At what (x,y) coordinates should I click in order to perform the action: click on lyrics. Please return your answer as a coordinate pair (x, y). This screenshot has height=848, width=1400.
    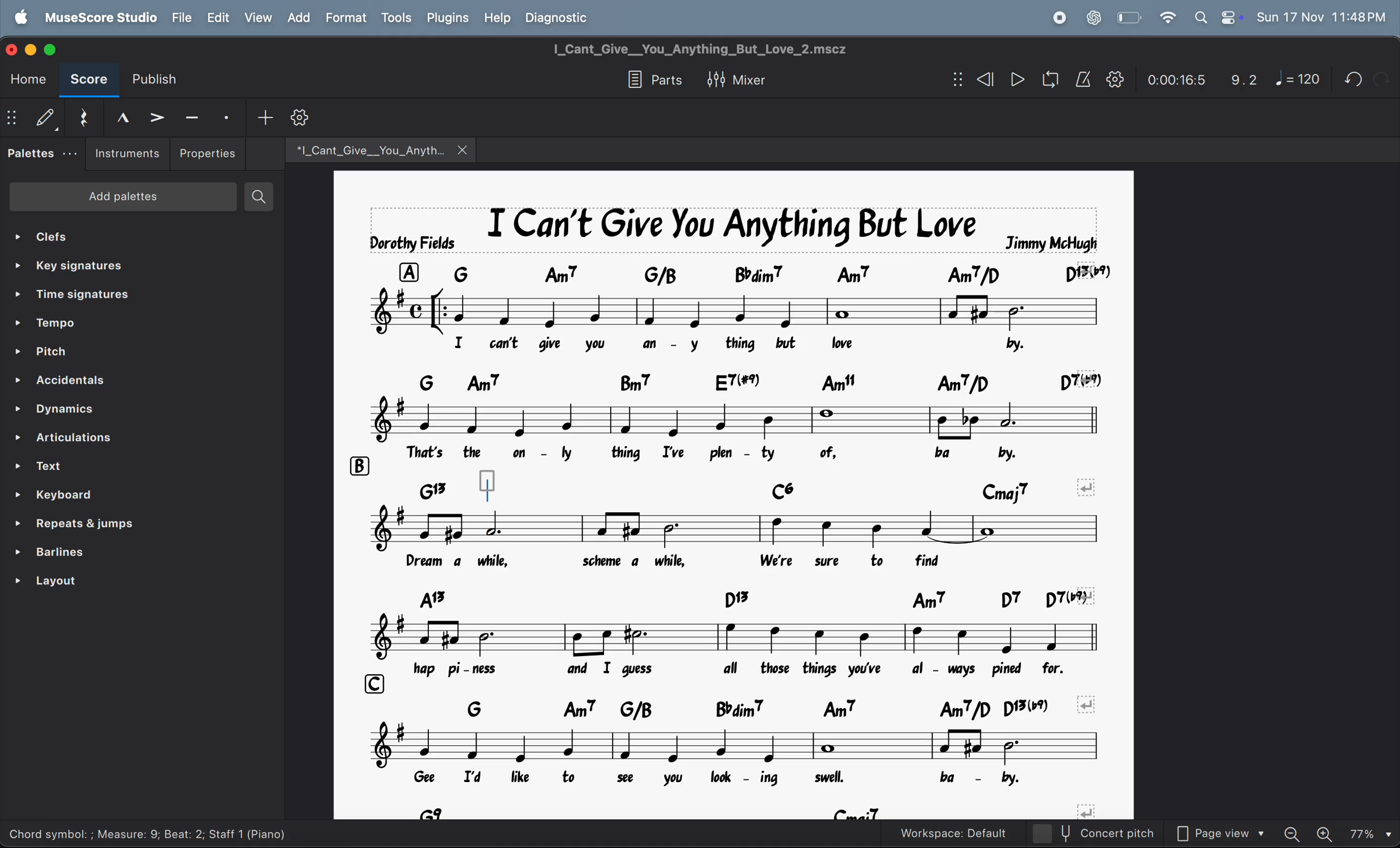
    Looking at the image, I should click on (732, 344).